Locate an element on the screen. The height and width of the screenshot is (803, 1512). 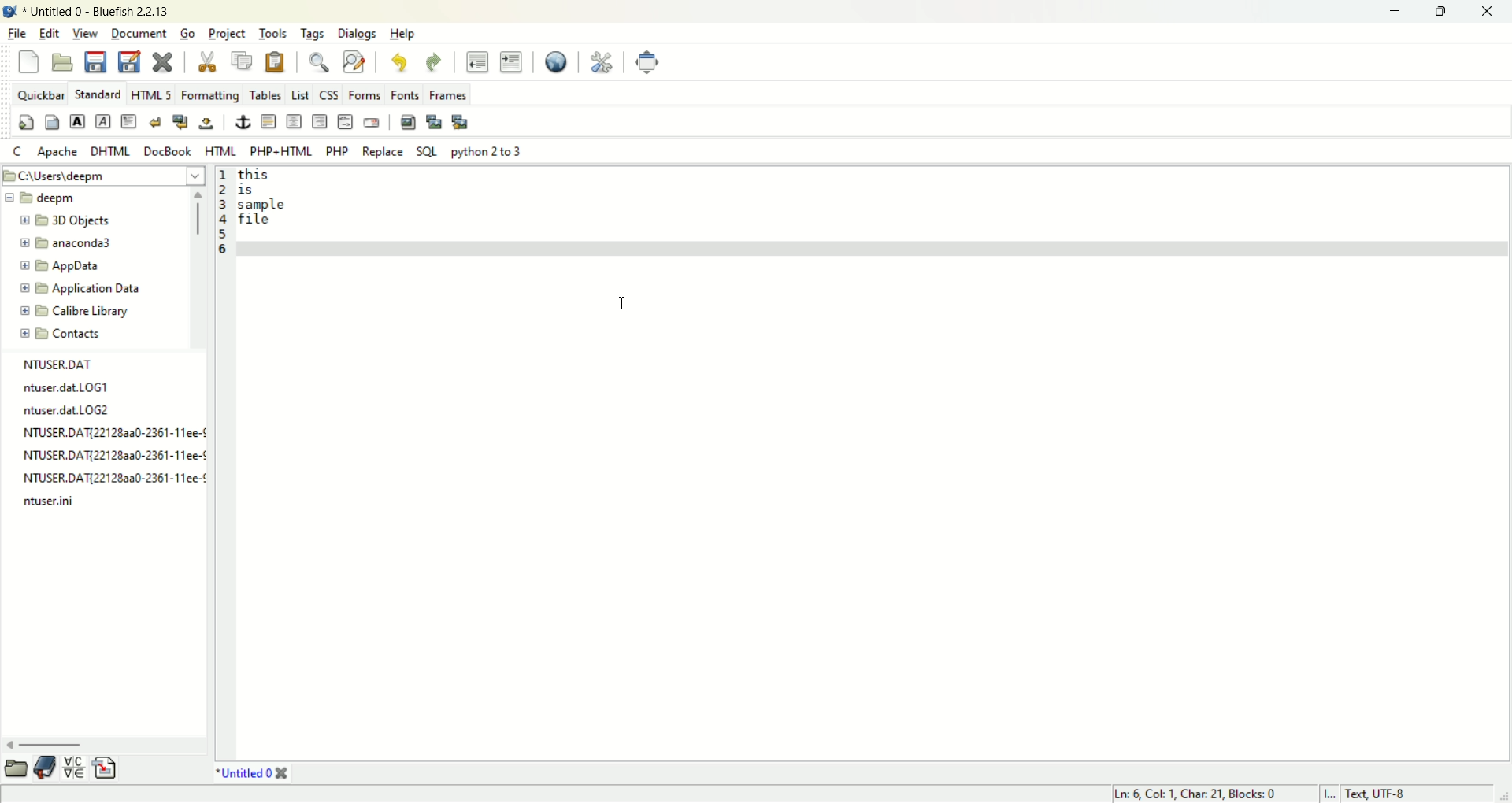
close current file is located at coordinates (163, 59).